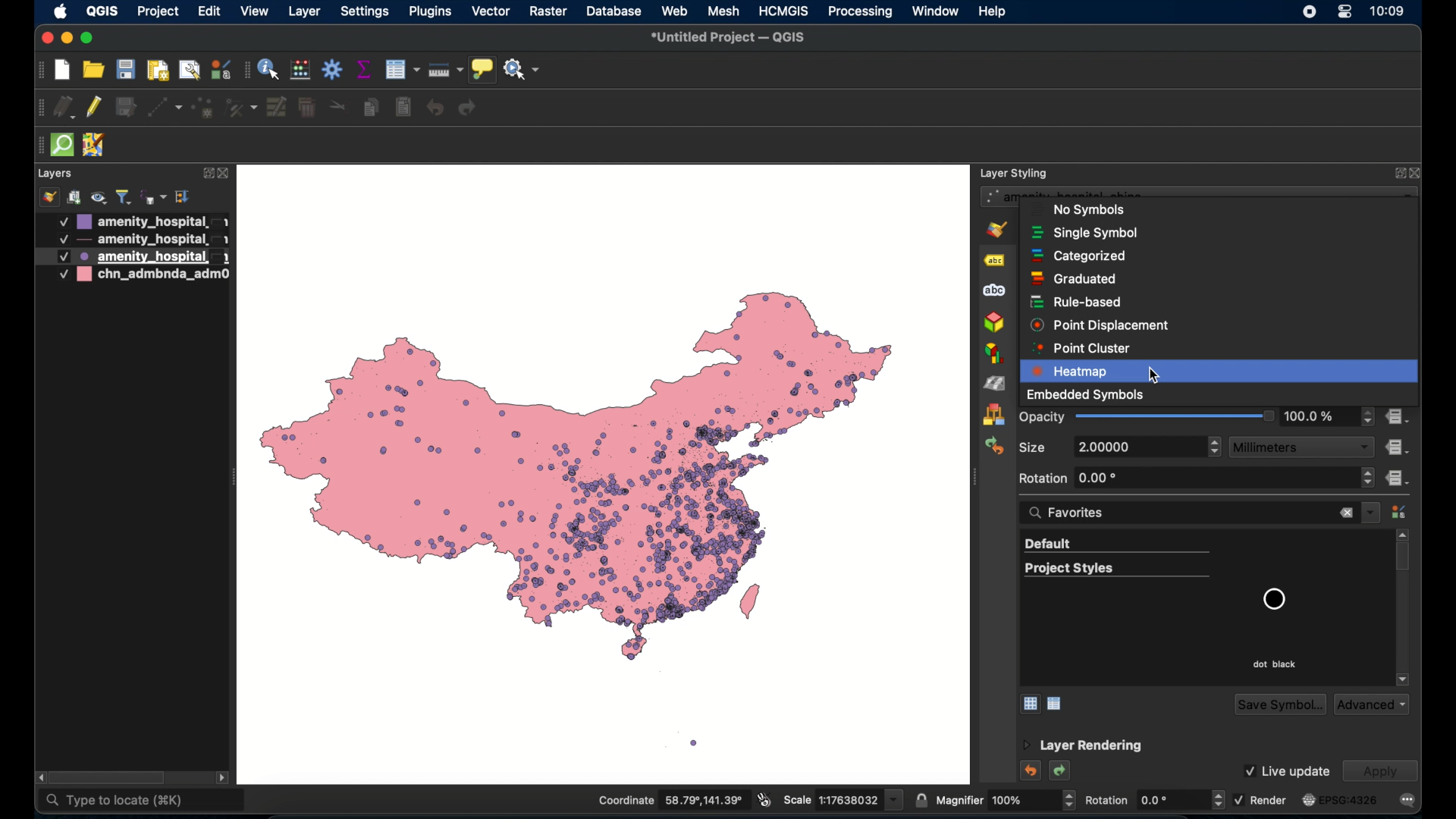 The width and height of the screenshot is (1456, 819). I want to click on opacity, so click(1329, 417).